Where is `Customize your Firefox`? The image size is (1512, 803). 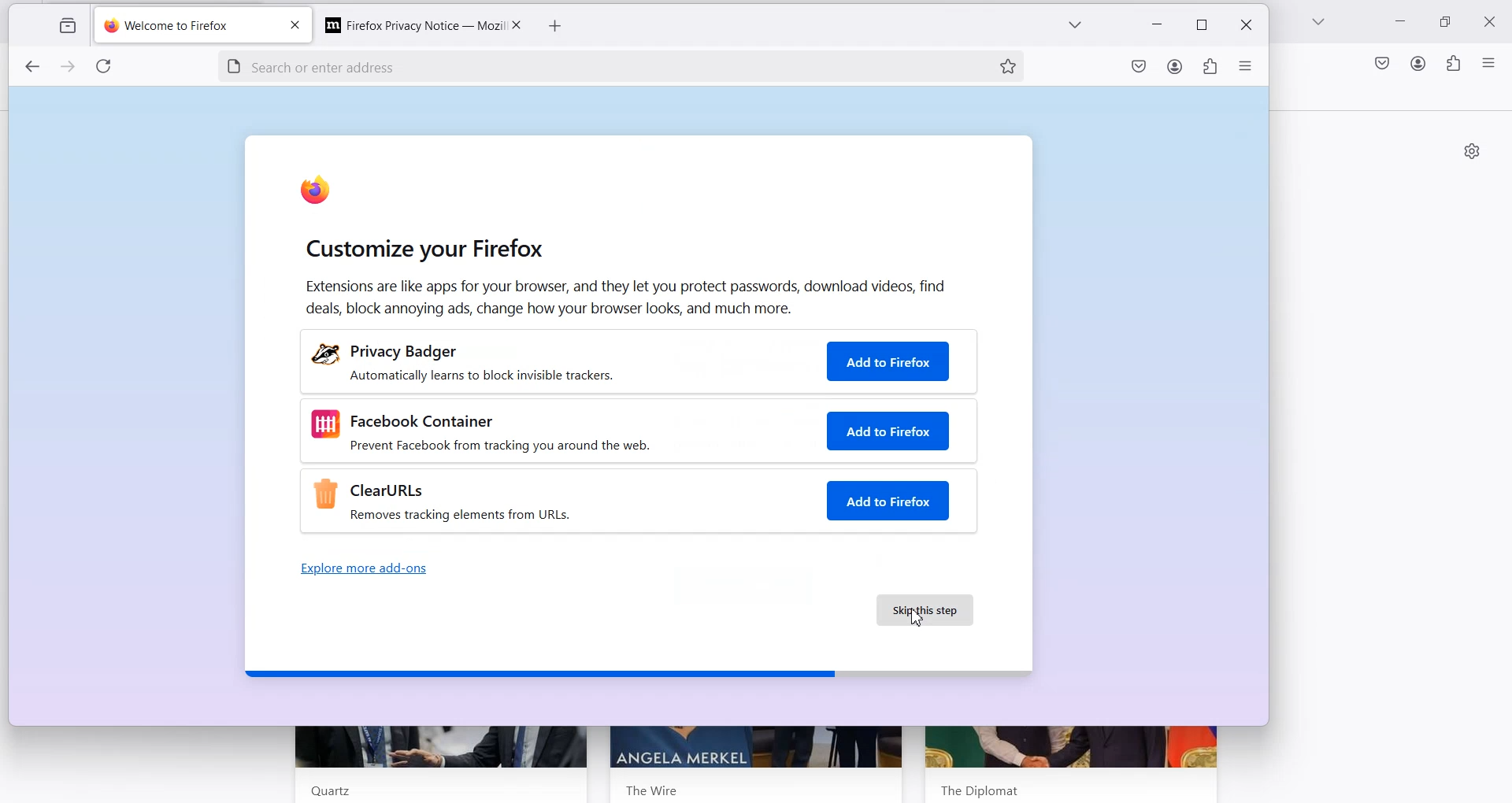
Customize your Firefox is located at coordinates (424, 250).